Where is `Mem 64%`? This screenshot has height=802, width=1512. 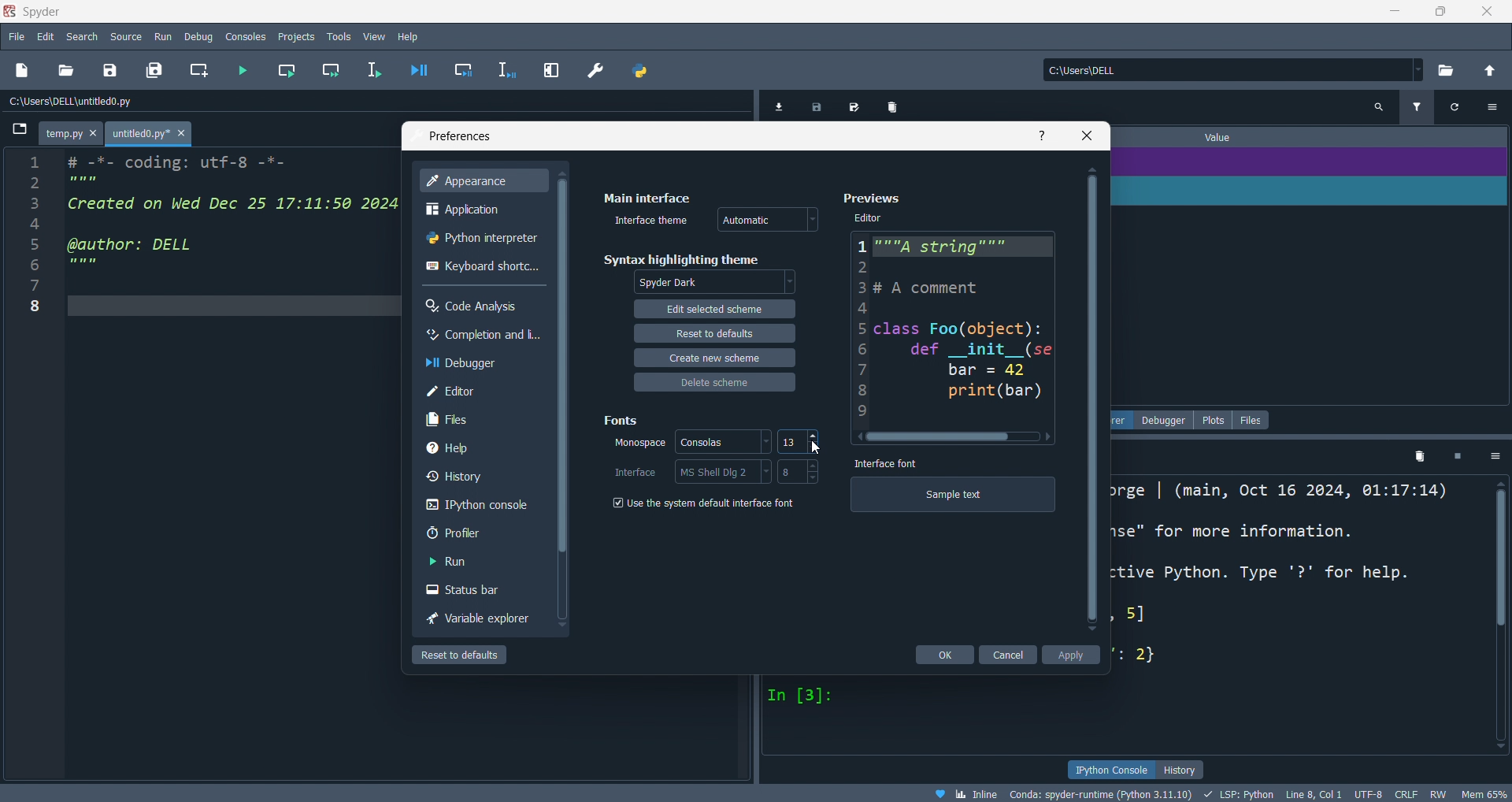 Mem 64% is located at coordinates (1484, 793).